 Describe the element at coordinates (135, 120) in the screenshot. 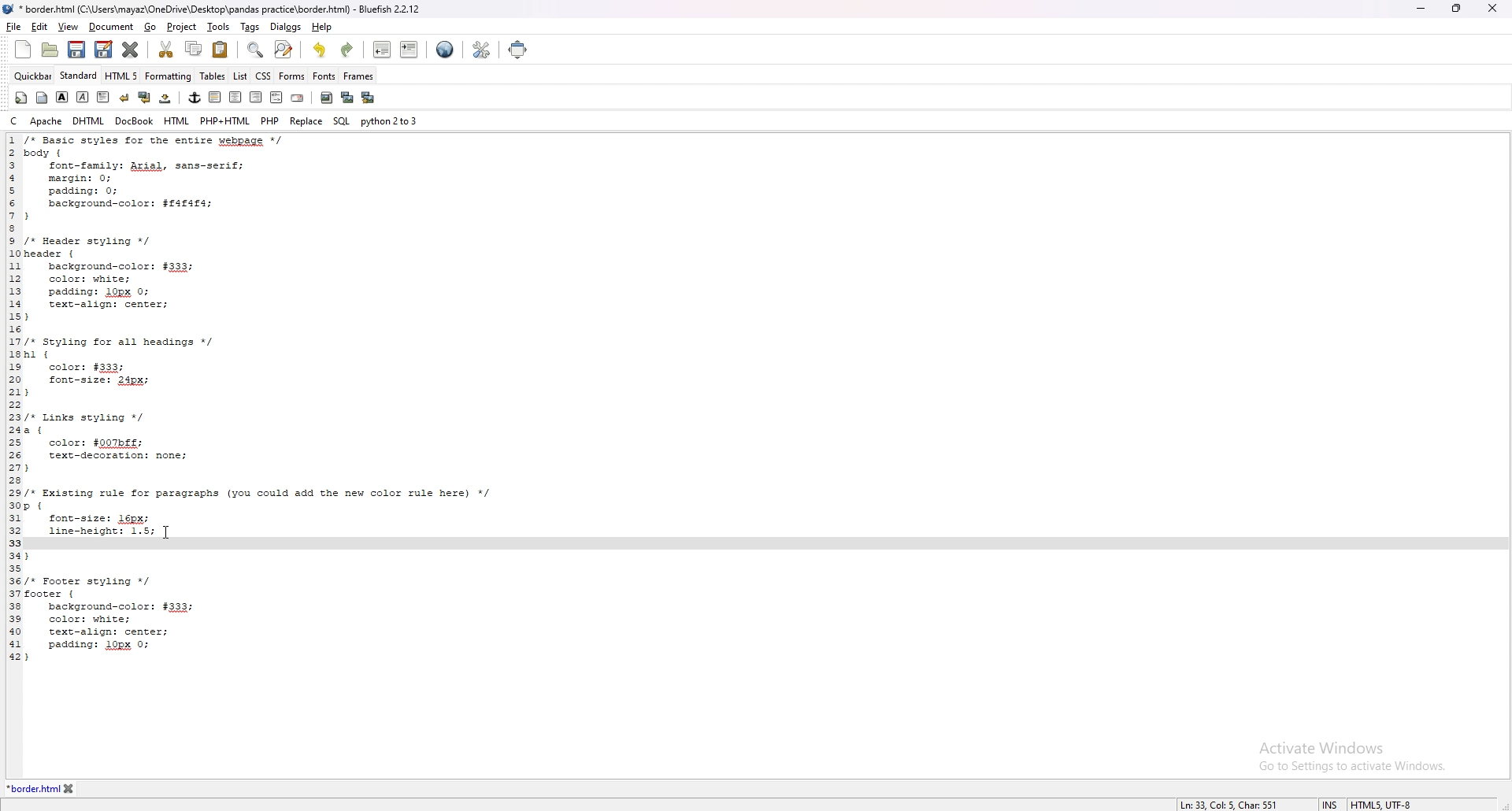

I see `docbook` at that location.